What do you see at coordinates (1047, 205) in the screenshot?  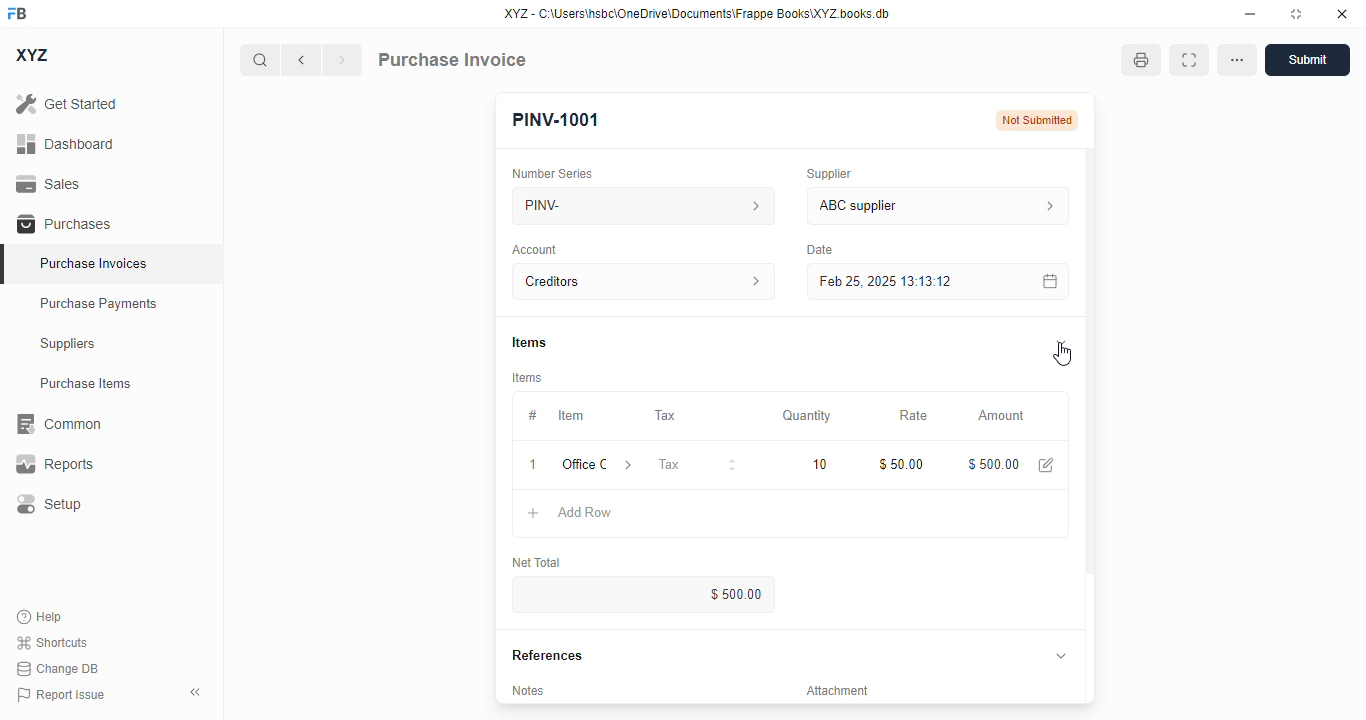 I see `supplier information` at bounding box center [1047, 205].